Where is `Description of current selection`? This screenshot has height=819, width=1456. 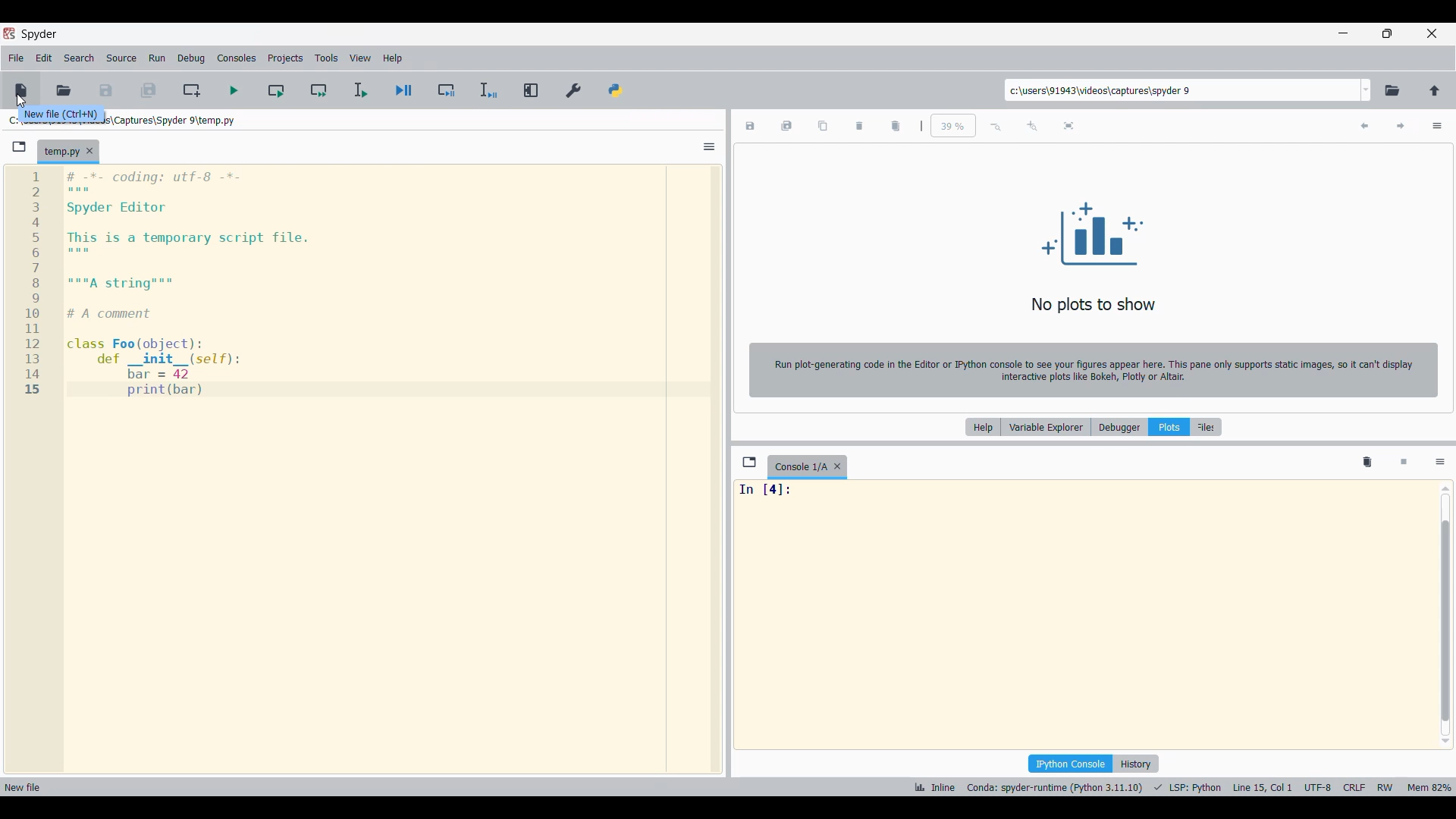
Description of current selection is located at coordinates (61, 115).